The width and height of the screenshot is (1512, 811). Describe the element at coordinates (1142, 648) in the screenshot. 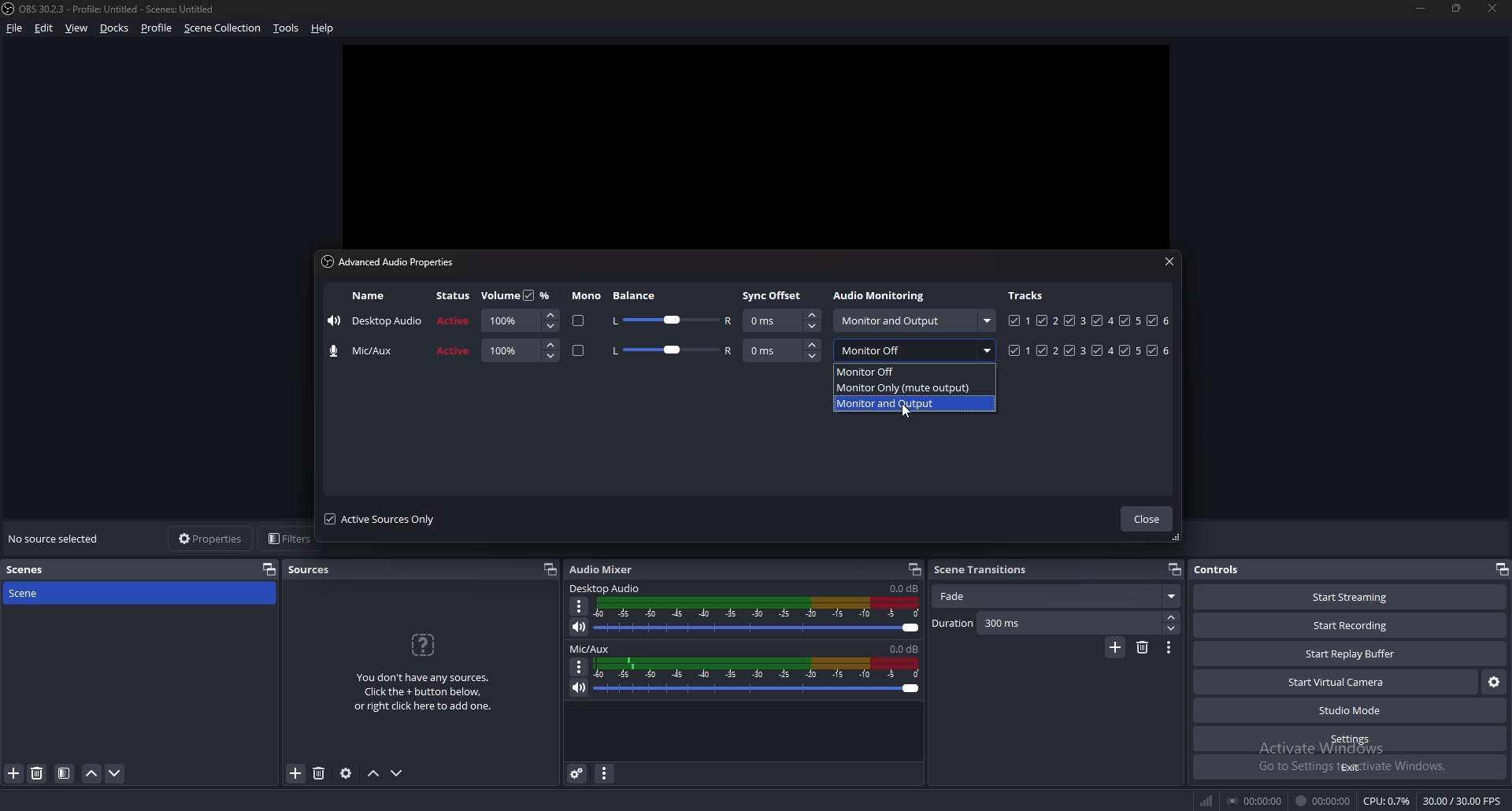

I see `remove transition` at that location.